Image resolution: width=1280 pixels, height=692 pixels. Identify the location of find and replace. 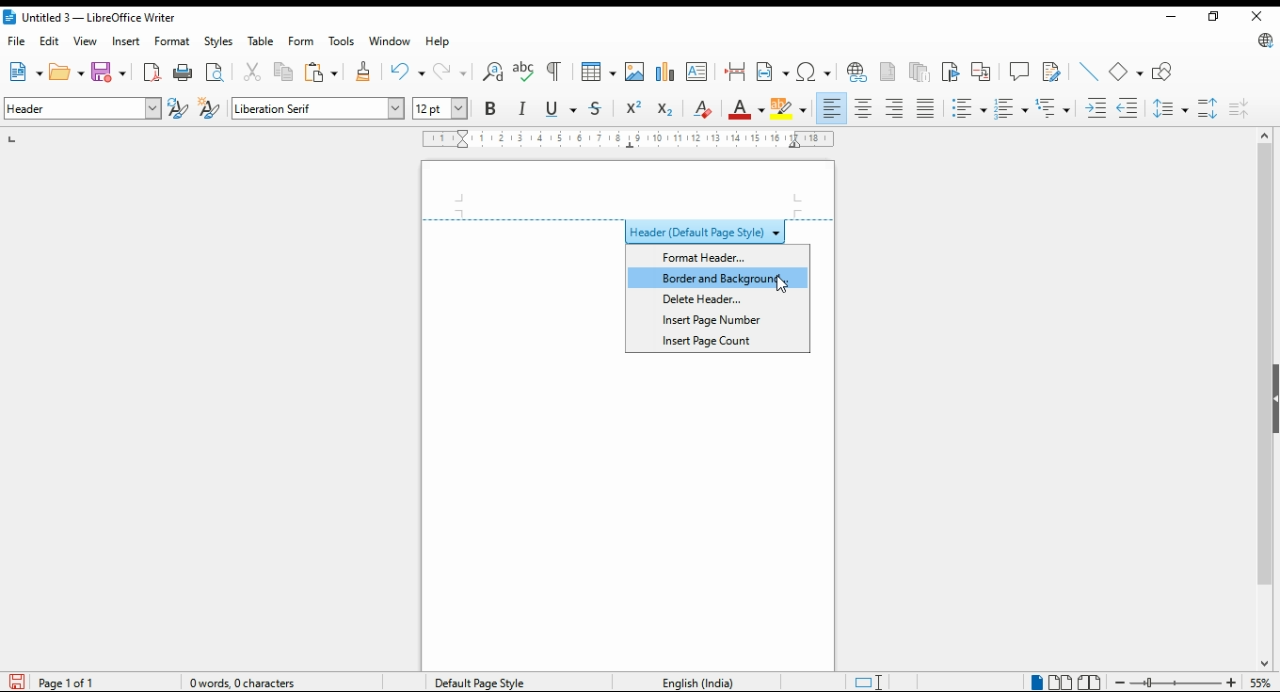
(494, 72).